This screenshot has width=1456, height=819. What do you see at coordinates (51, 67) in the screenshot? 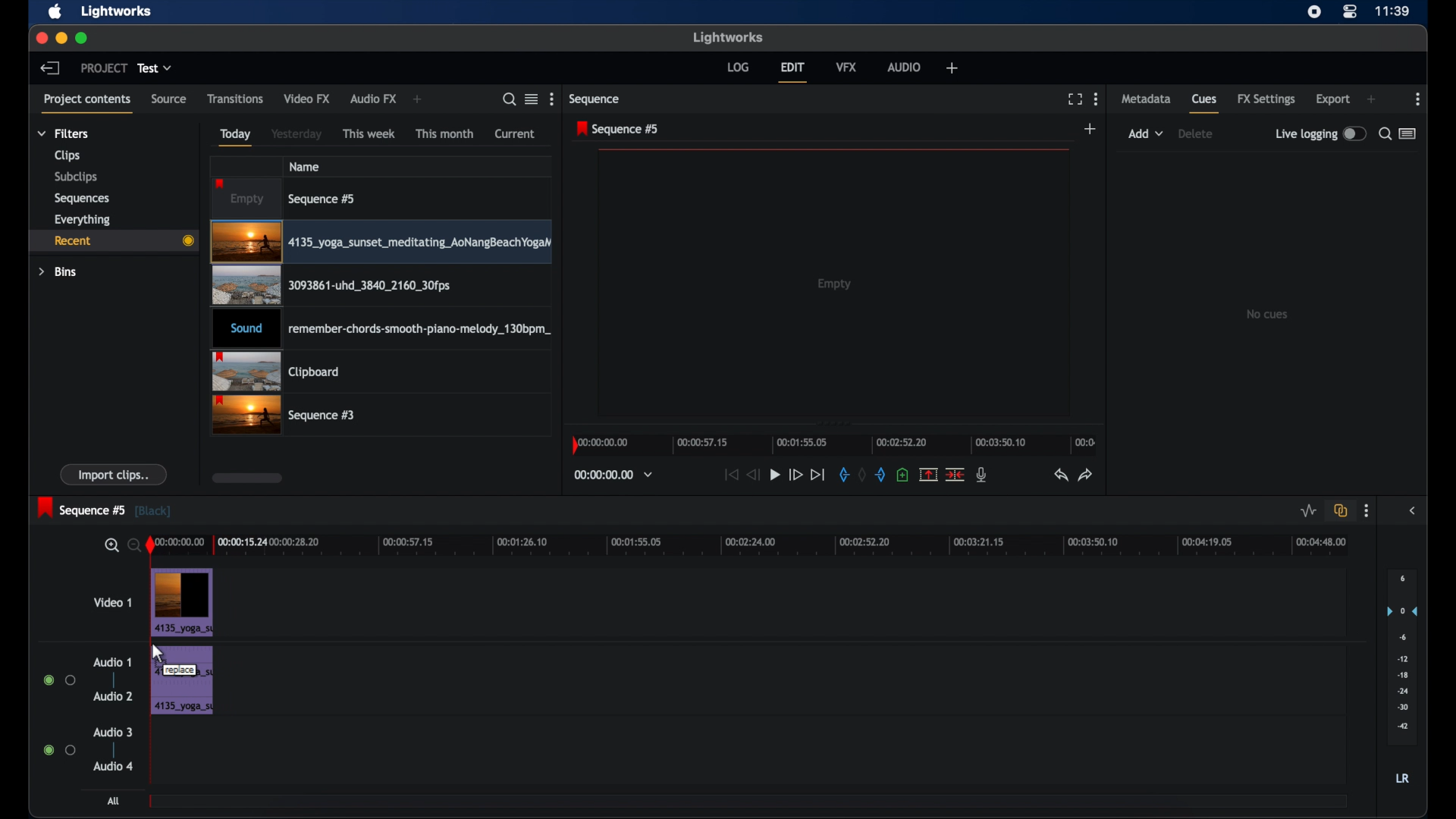
I see `back` at bounding box center [51, 67].